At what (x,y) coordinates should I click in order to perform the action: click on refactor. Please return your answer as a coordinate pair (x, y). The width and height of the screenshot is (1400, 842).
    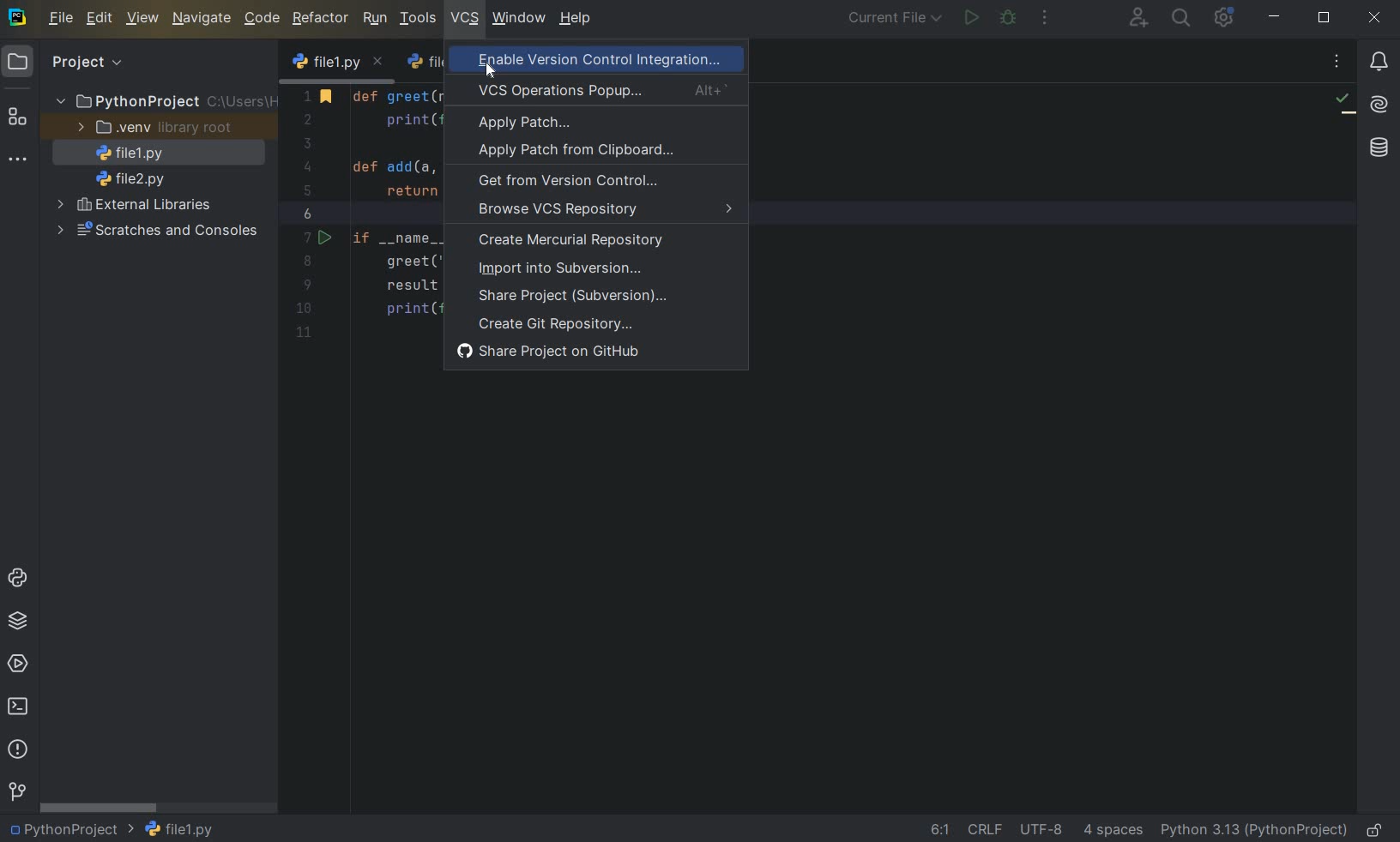
    Looking at the image, I should click on (321, 19).